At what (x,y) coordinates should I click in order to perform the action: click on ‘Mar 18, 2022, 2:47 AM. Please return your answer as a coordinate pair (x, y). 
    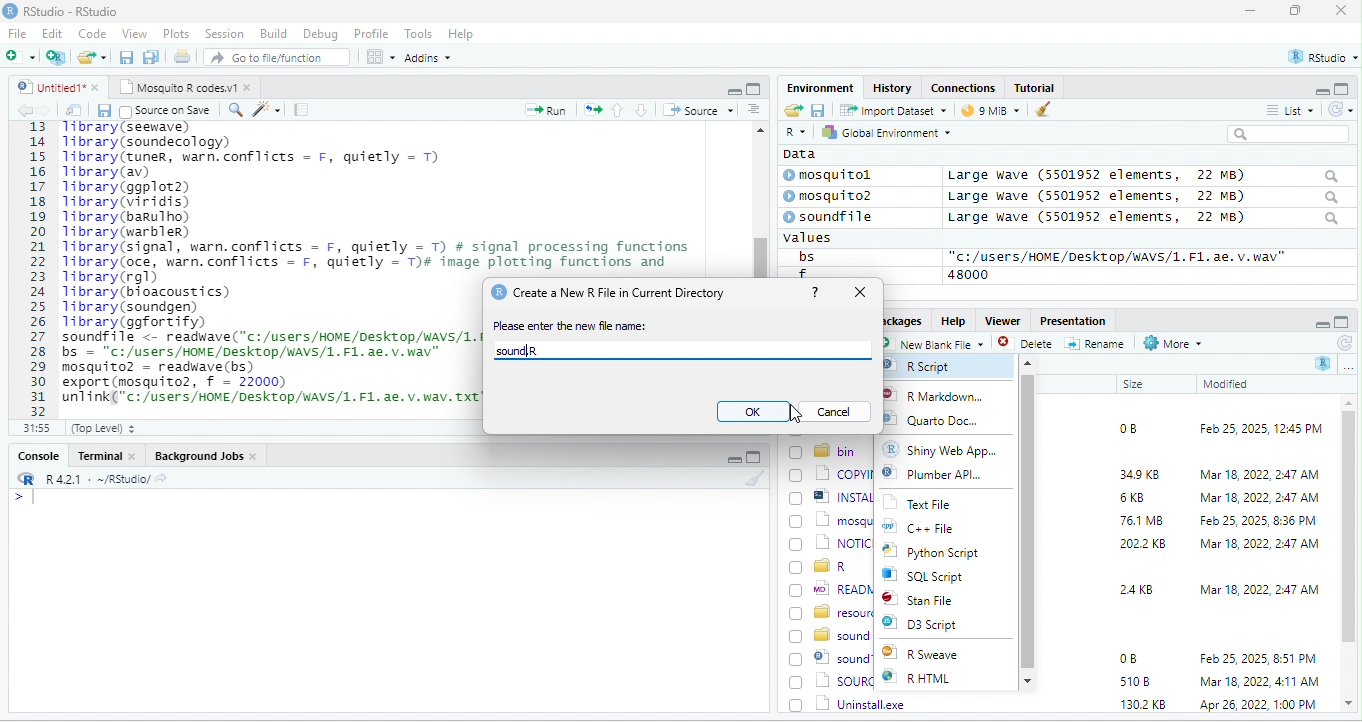
    Looking at the image, I should click on (1258, 544).